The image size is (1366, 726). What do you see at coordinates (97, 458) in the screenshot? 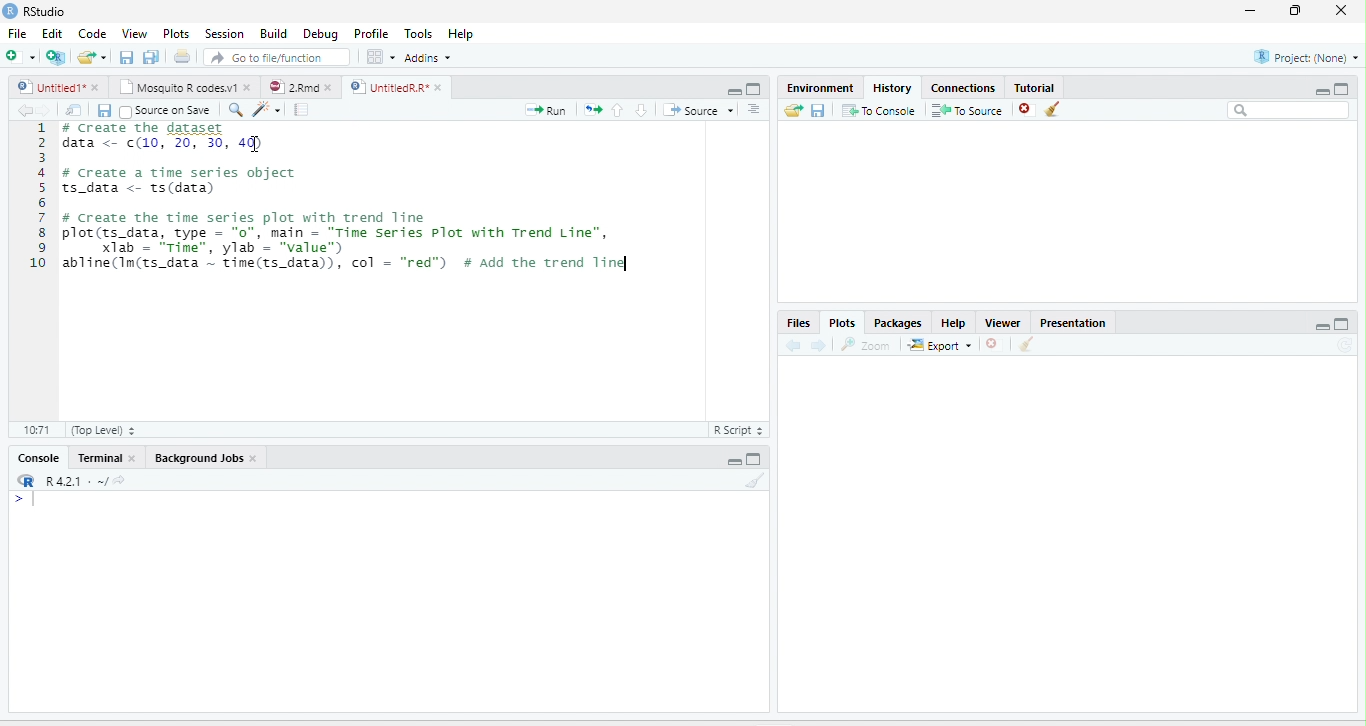
I see `Terminal` at bounding box center [97, 458].